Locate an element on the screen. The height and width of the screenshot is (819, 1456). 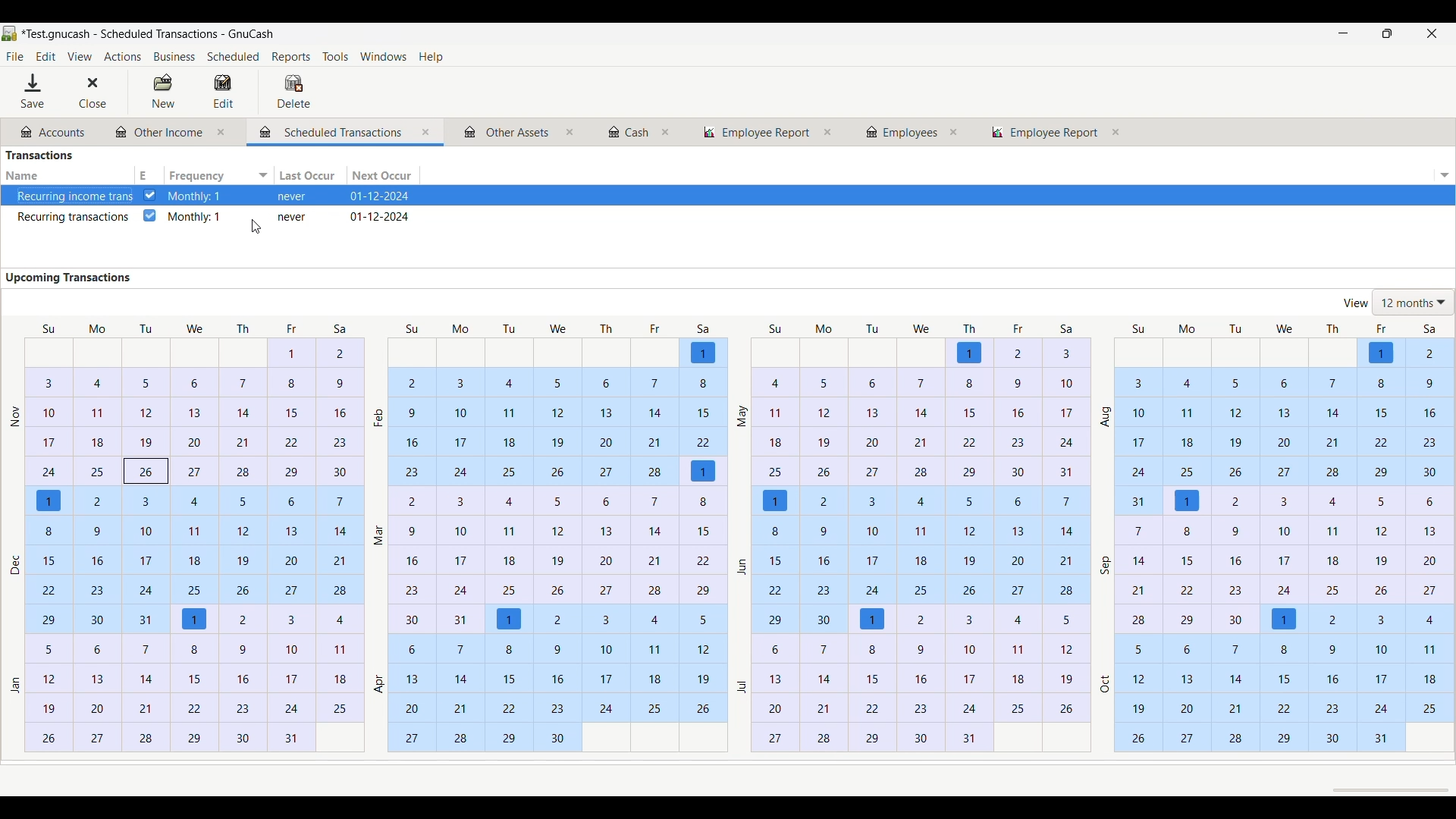
E column is located at coordinates (149, 175).